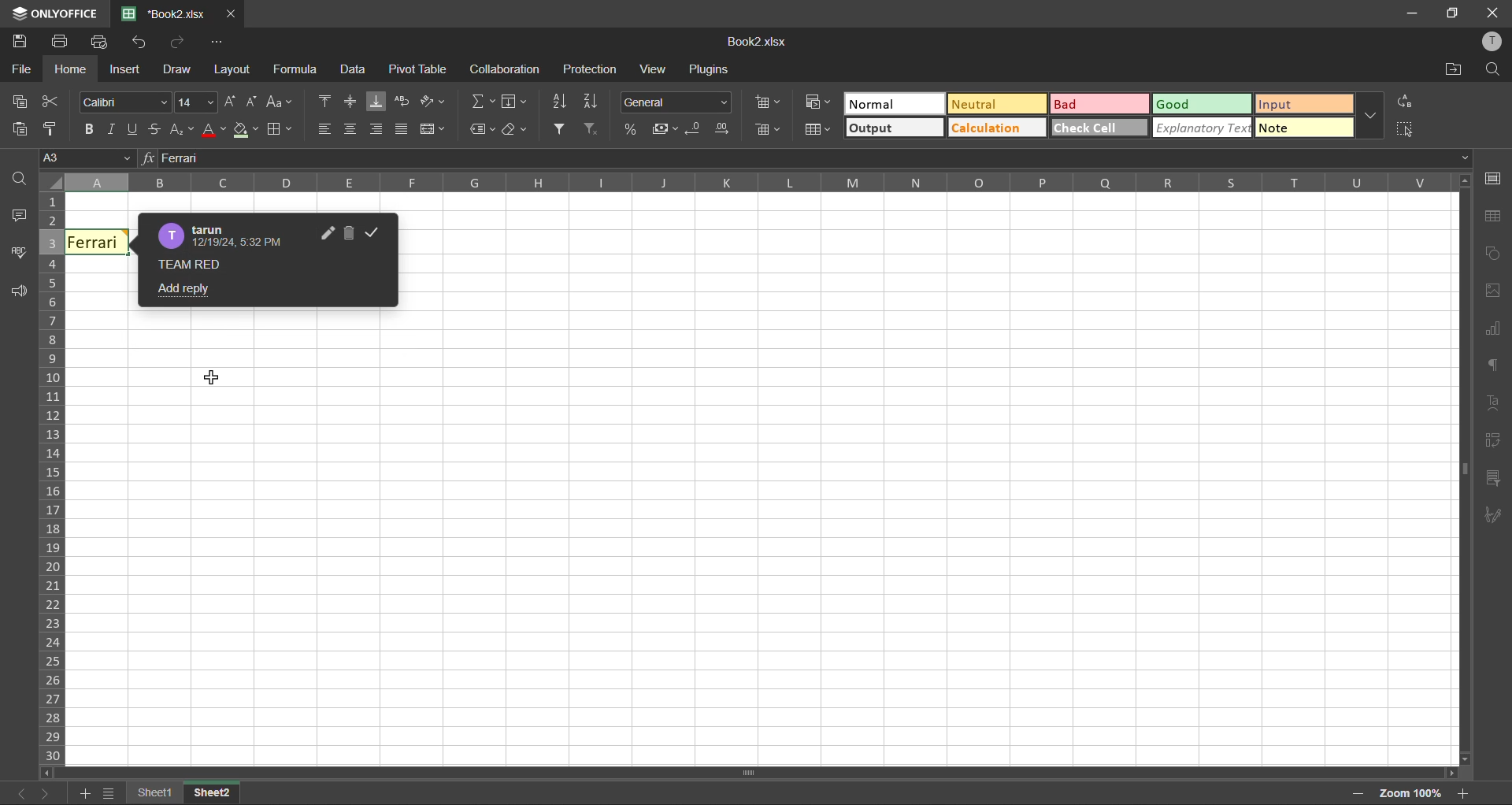 The width and height of the screenshot is (1512, 805). I want to click on percent, so click(628, 129).